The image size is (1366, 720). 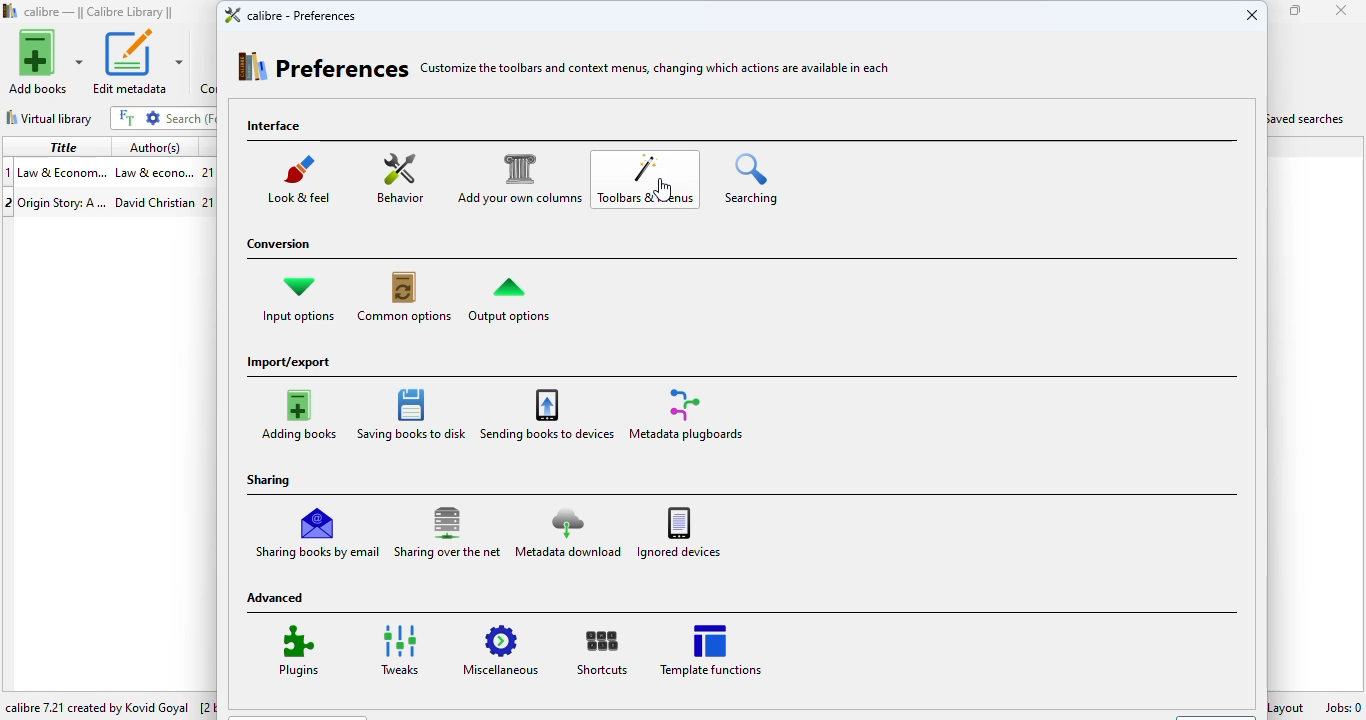 What do you see at coordinates (295, 651) in the screenshot?
I see `plugins` at bounding box center [295, 651].